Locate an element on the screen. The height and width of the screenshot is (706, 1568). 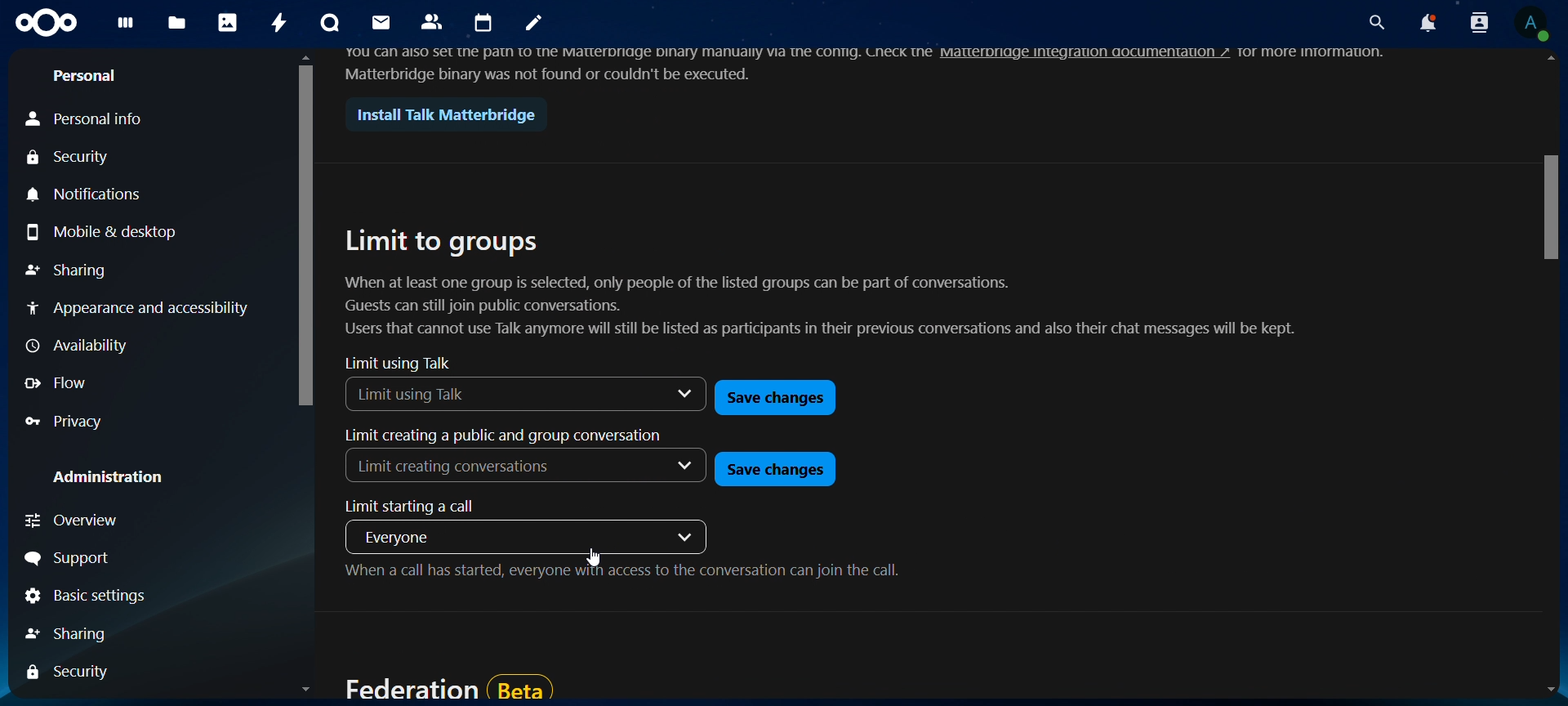
notifications is located at coordinates (1428, 23).